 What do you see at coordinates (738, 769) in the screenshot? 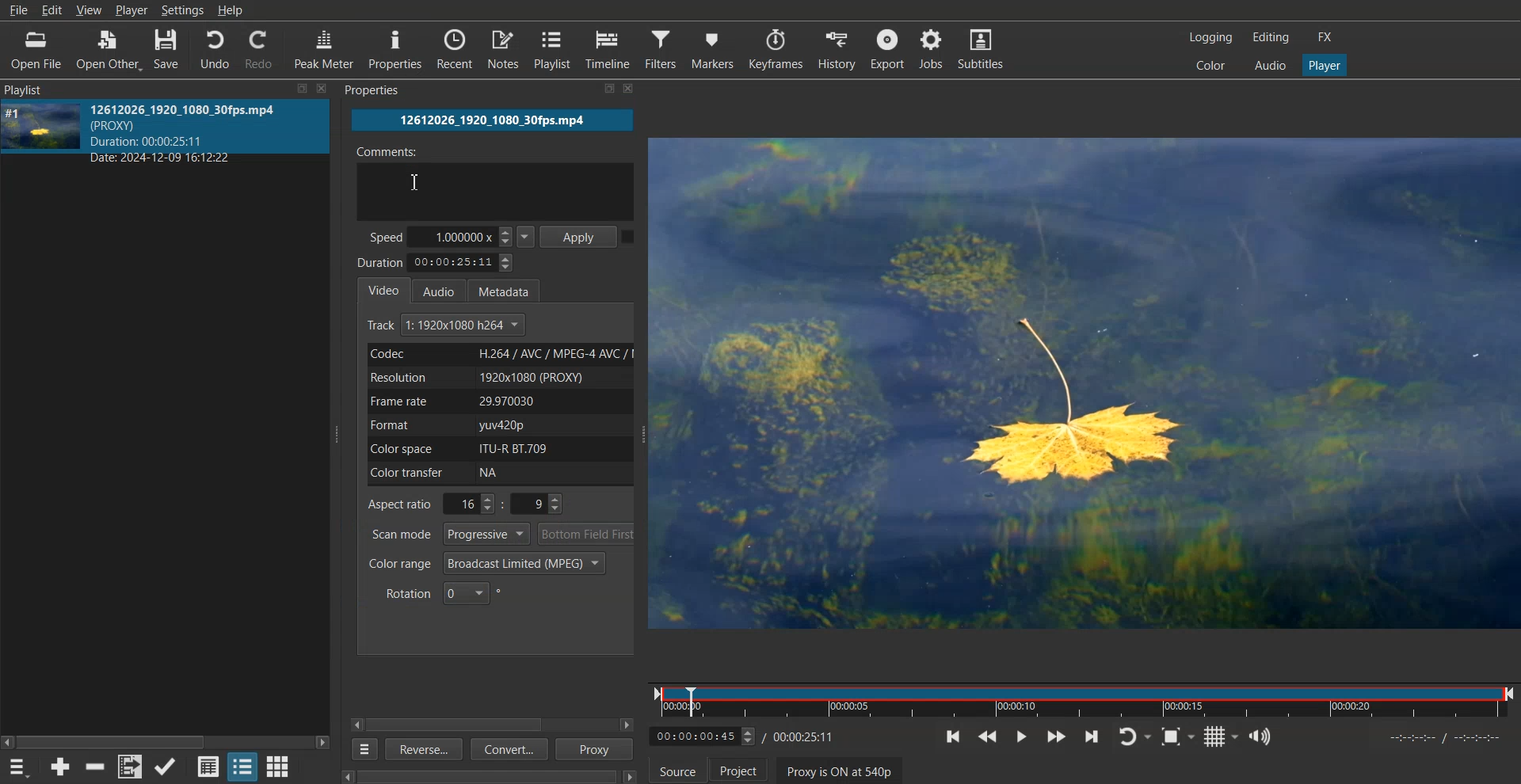
I see `Project` at bounding box center [738, 769].